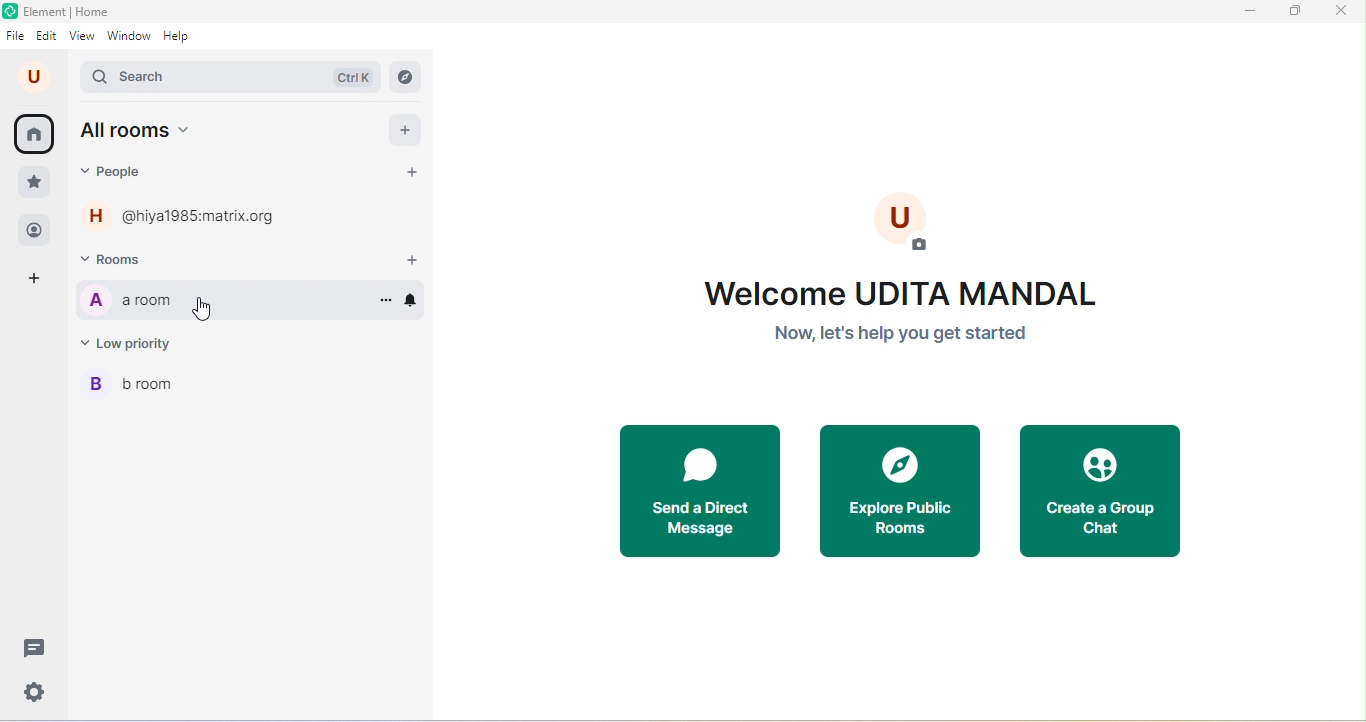 This screenshot has height=722, width=1366. What do you see at coordinates (206, 310) in the screenshot?
I see `cursor` at bounding box center [206, 310].